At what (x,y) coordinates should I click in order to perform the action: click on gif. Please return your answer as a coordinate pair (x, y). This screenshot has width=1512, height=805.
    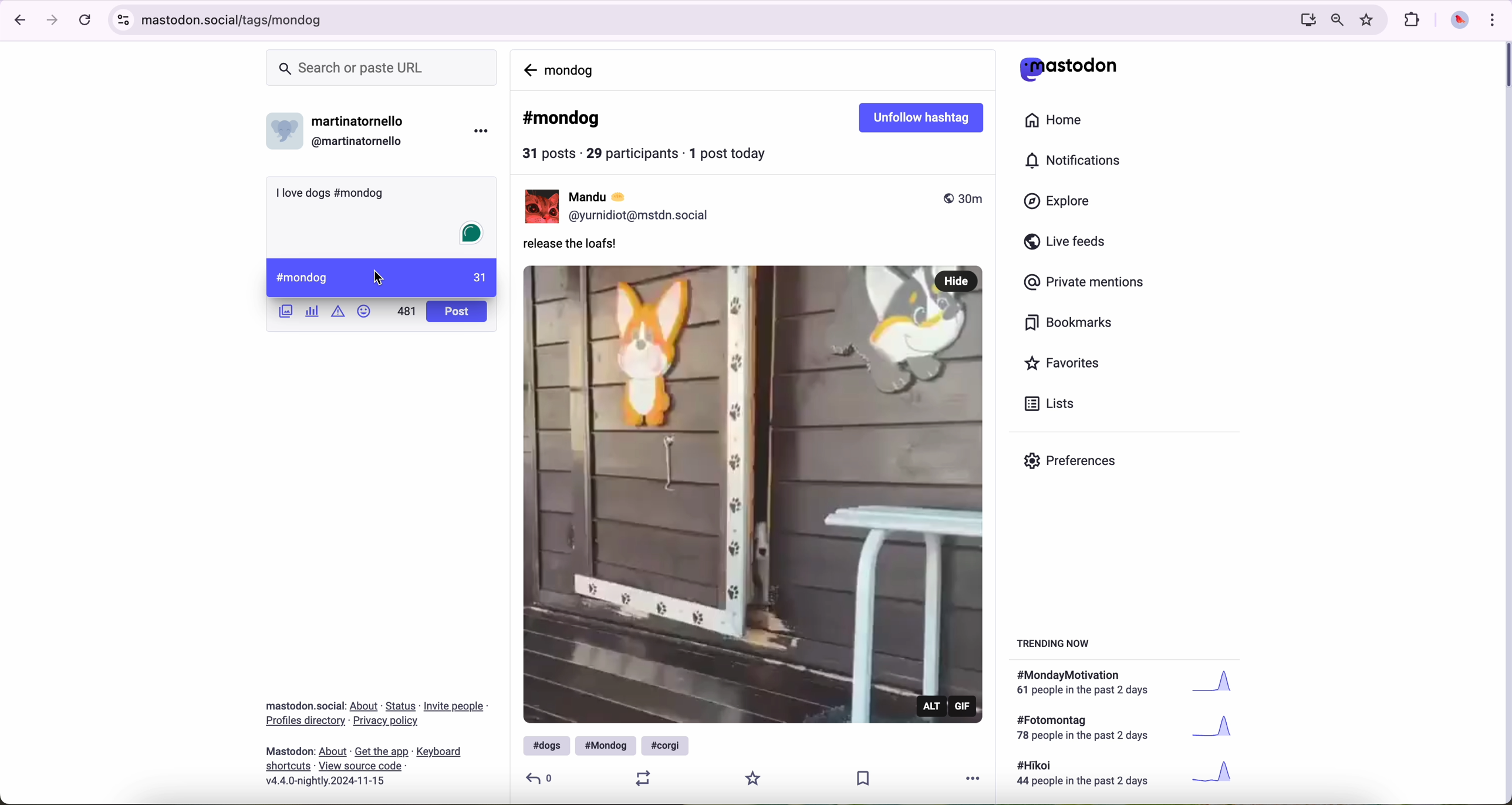
    Looking at the image, I should click on (964, 706).